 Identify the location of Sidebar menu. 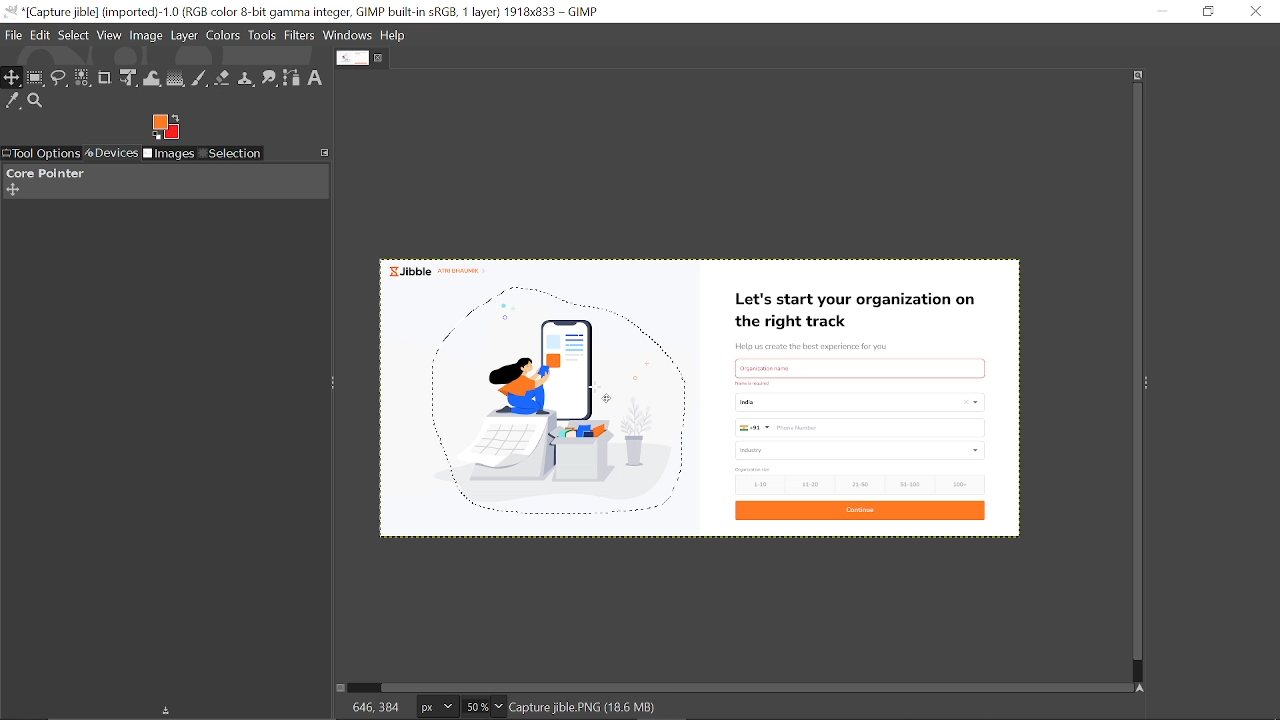
(1151, 381).